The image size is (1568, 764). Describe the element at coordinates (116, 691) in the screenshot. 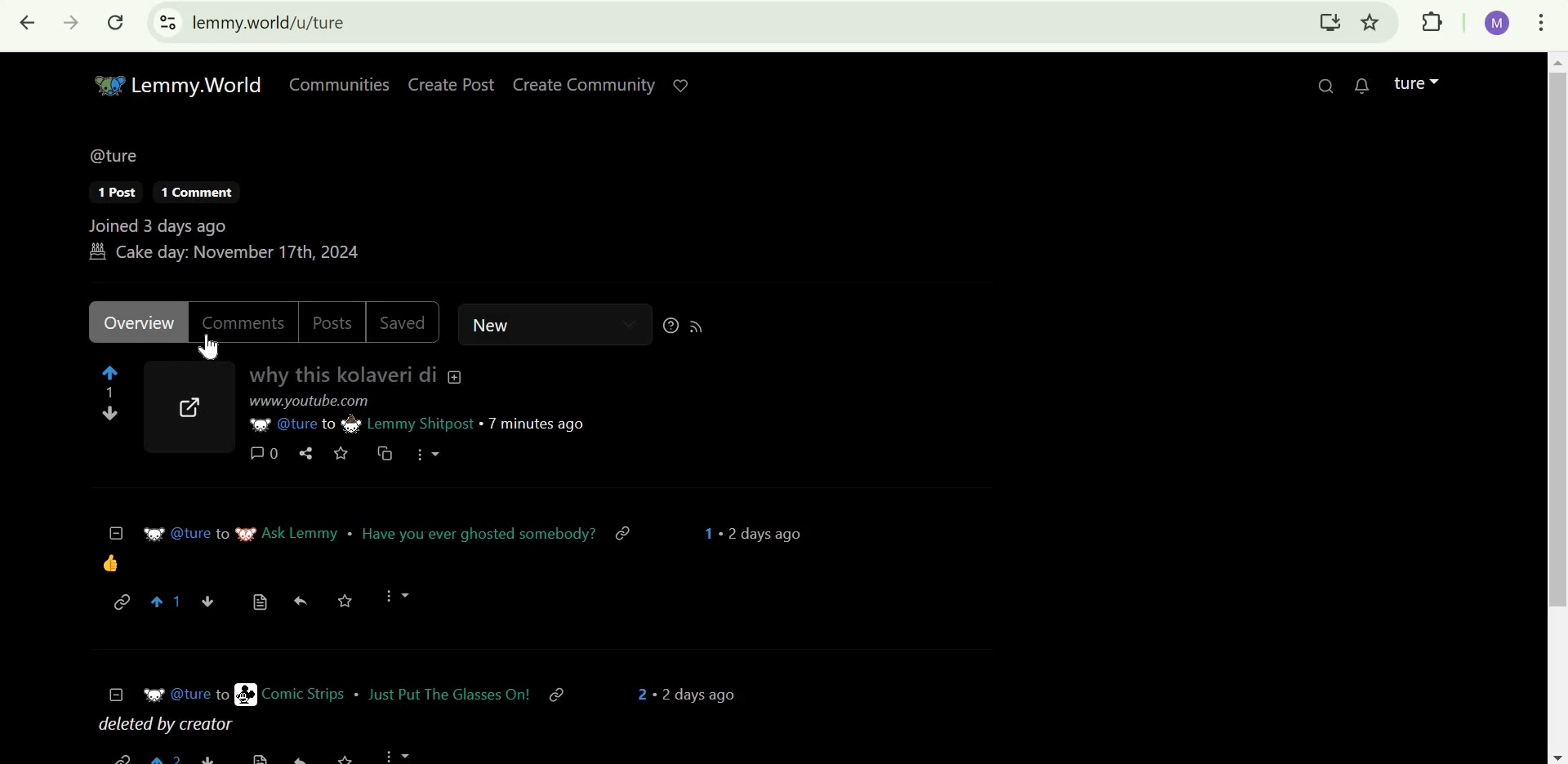

I see `collapse` at that location.